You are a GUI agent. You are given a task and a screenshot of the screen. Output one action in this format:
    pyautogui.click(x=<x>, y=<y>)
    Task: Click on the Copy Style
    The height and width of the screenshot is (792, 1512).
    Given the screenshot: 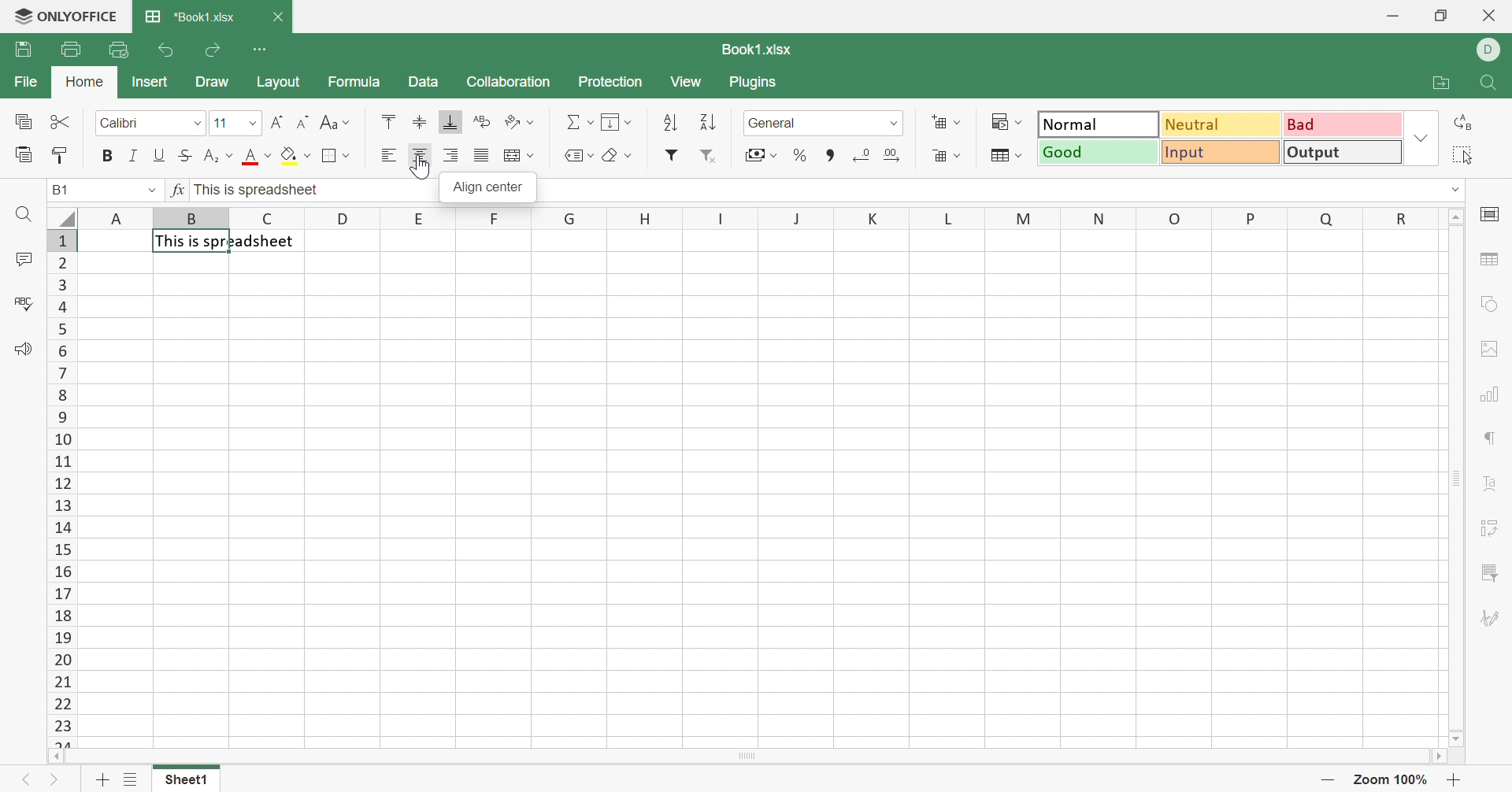 What is the action you would take?
    pyautogui.click(x=61, y=155)
    